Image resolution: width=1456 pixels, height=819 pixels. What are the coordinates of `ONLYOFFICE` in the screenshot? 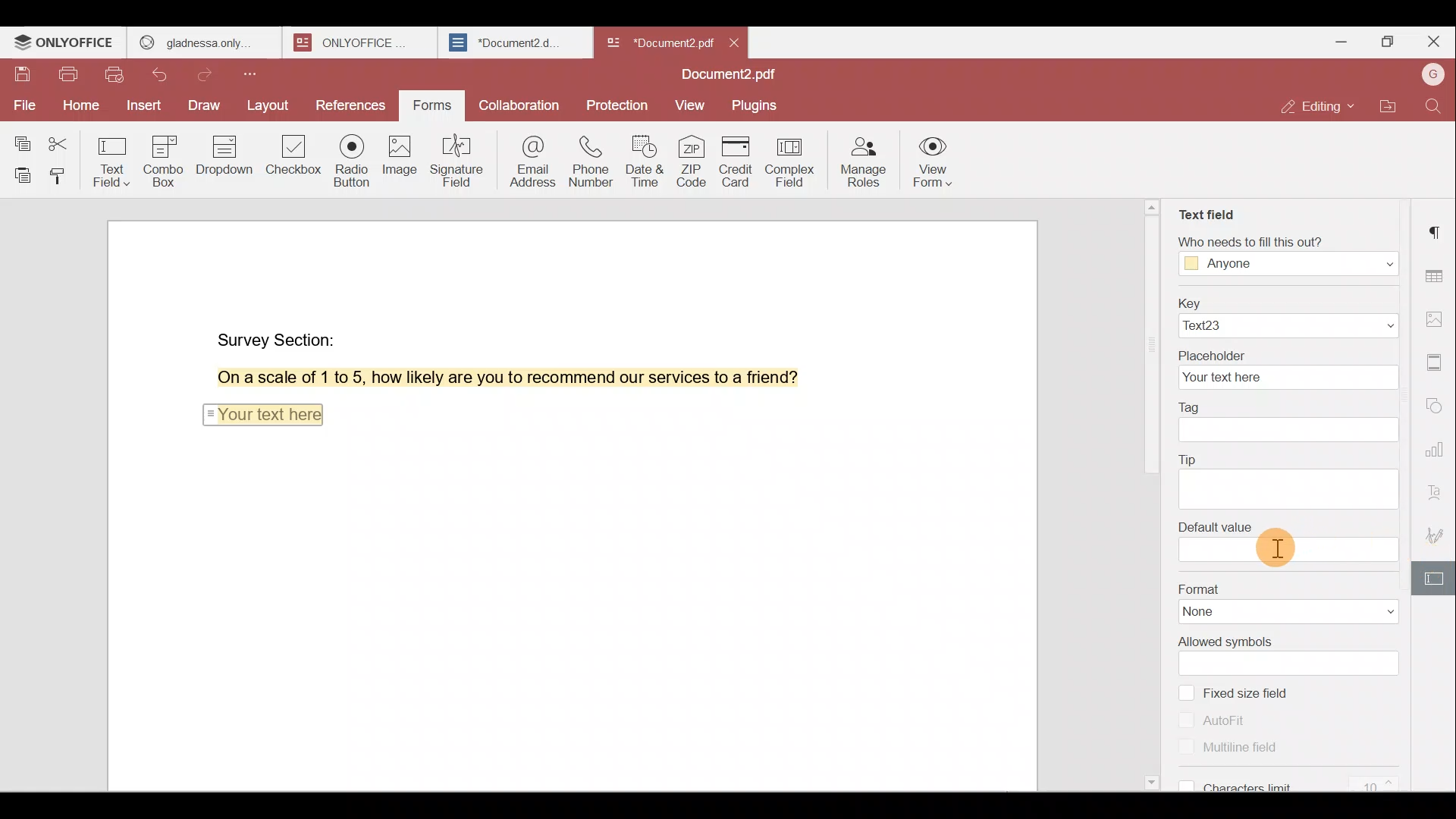 It's located at (362, 42).